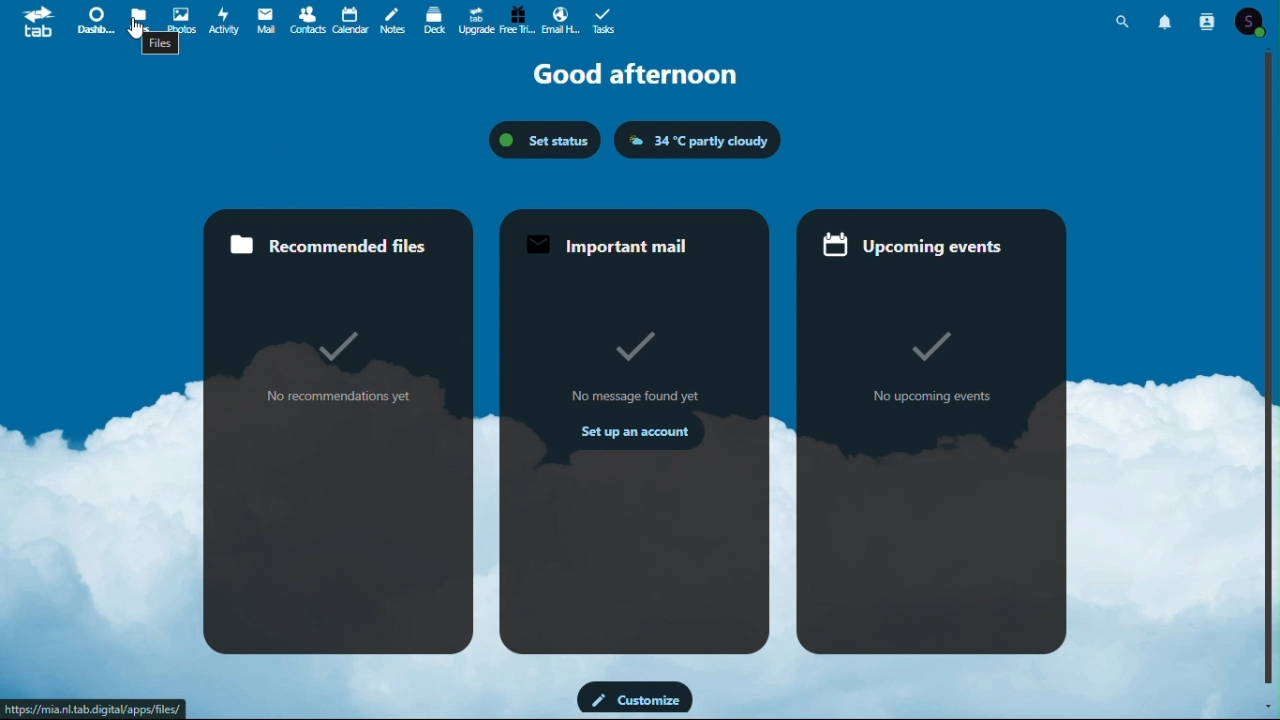 The height and width of the screenshot is (720, 1280). What do you see at coordinates (520, 19) in the screenshot?
I see `Free trial` at bounding box center [520, 19].